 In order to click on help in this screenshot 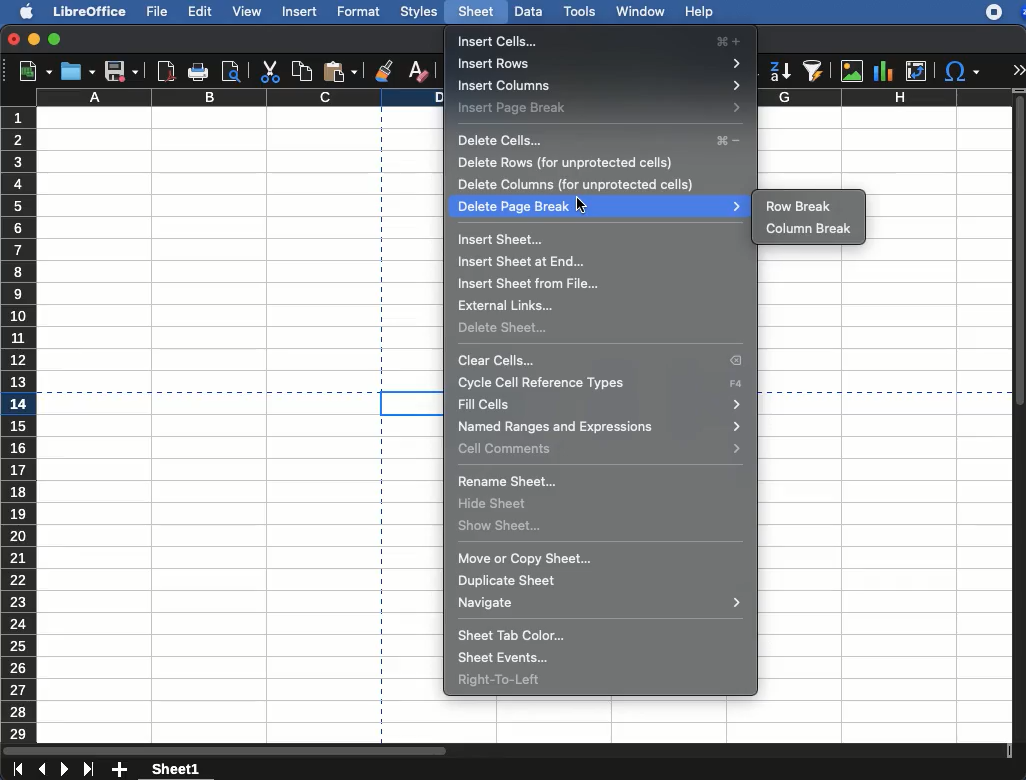, I will do `click(700, 12)`.